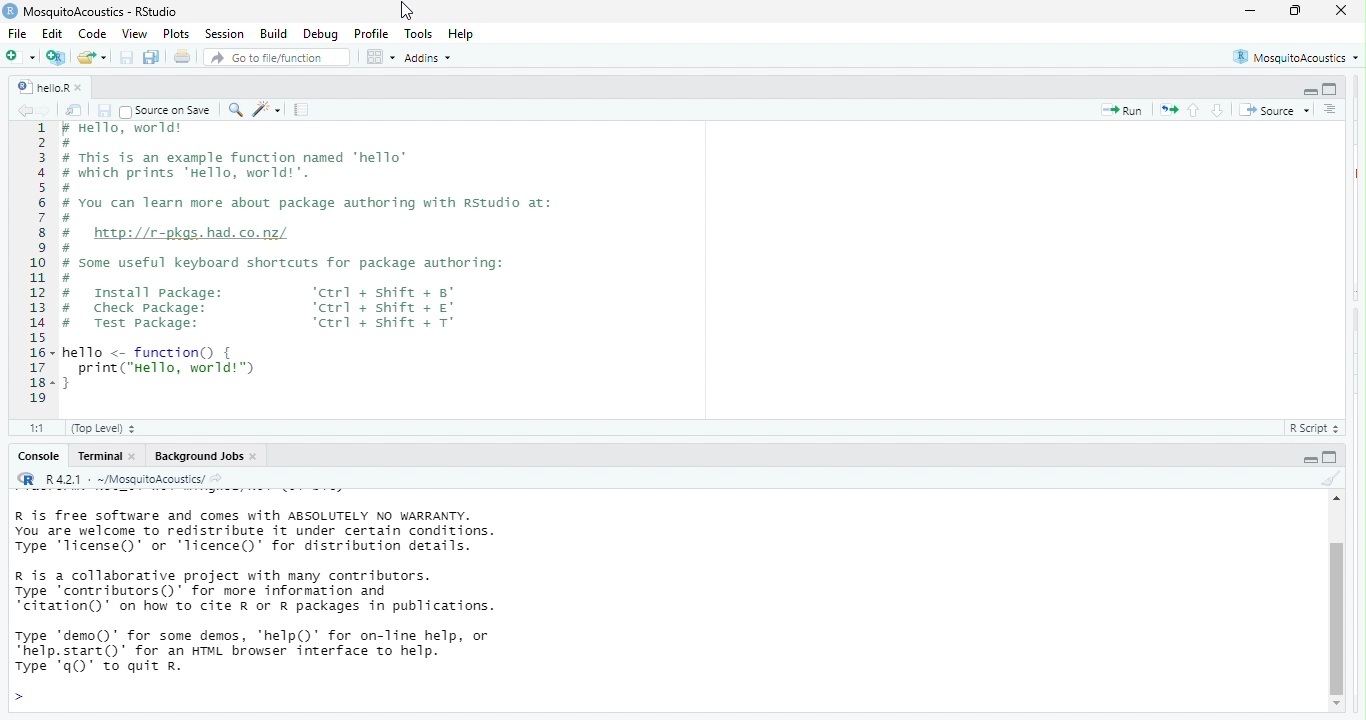 The width and height of the screenshot is (1366, 720). Describe the element at coordinates (373, 34) in the screenshot. I see `Profile` at that location.